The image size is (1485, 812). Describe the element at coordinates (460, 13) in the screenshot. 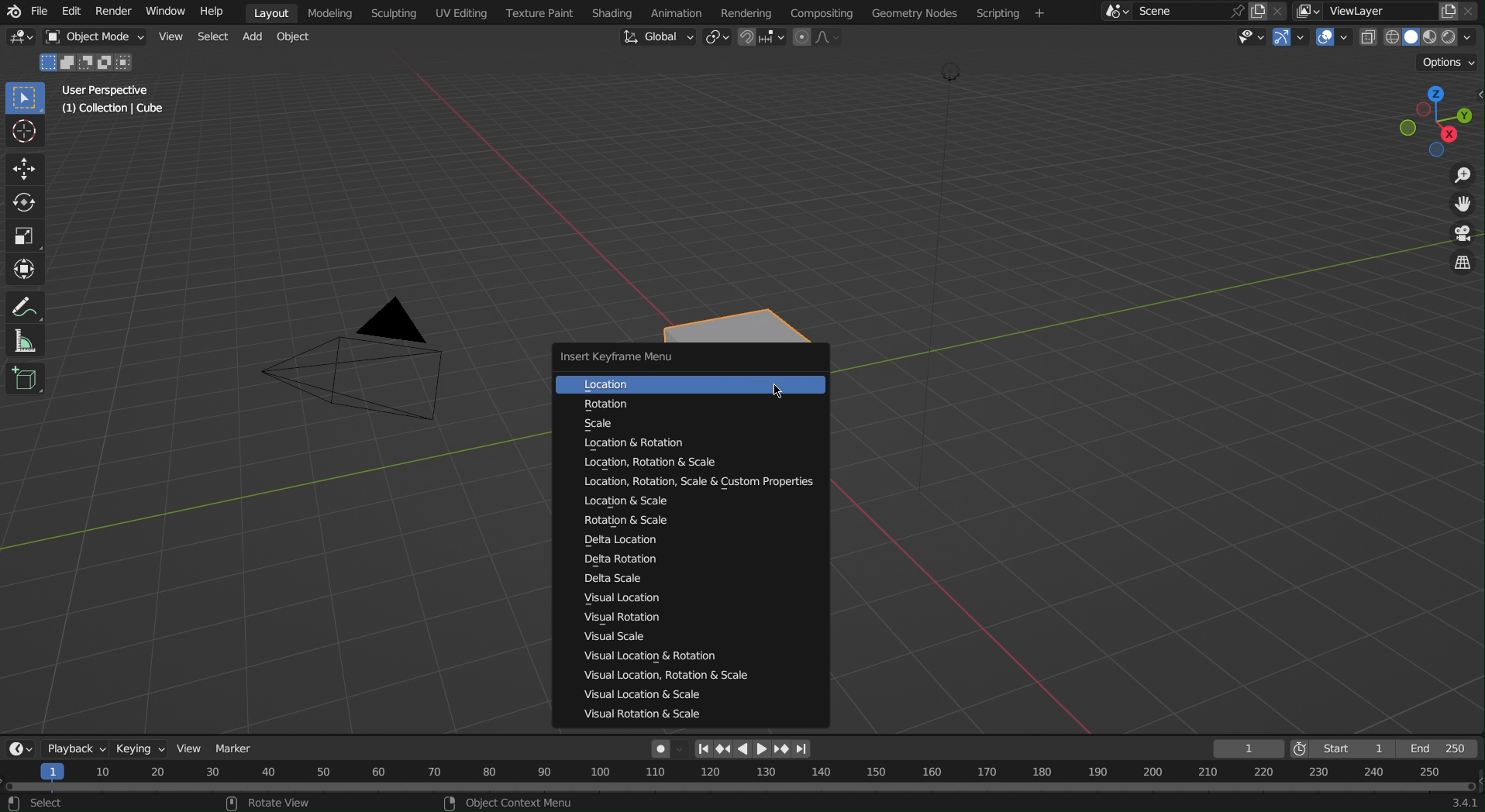

I see `UV Editing` at that location.